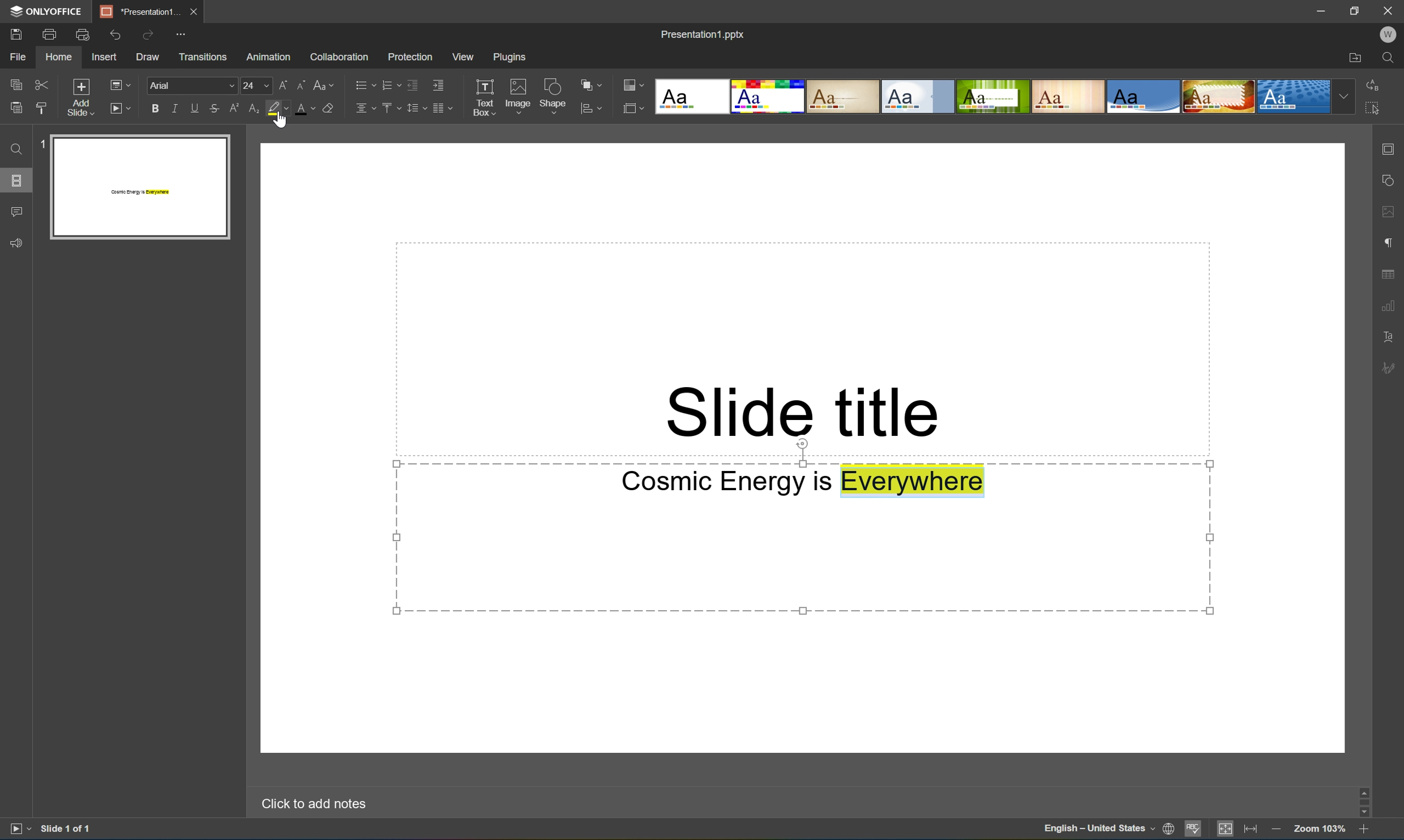 The image size is (1404, 840). Describe the element at coordinates (215, 107) in the screenshot. I see `Strikethrough` at that location.